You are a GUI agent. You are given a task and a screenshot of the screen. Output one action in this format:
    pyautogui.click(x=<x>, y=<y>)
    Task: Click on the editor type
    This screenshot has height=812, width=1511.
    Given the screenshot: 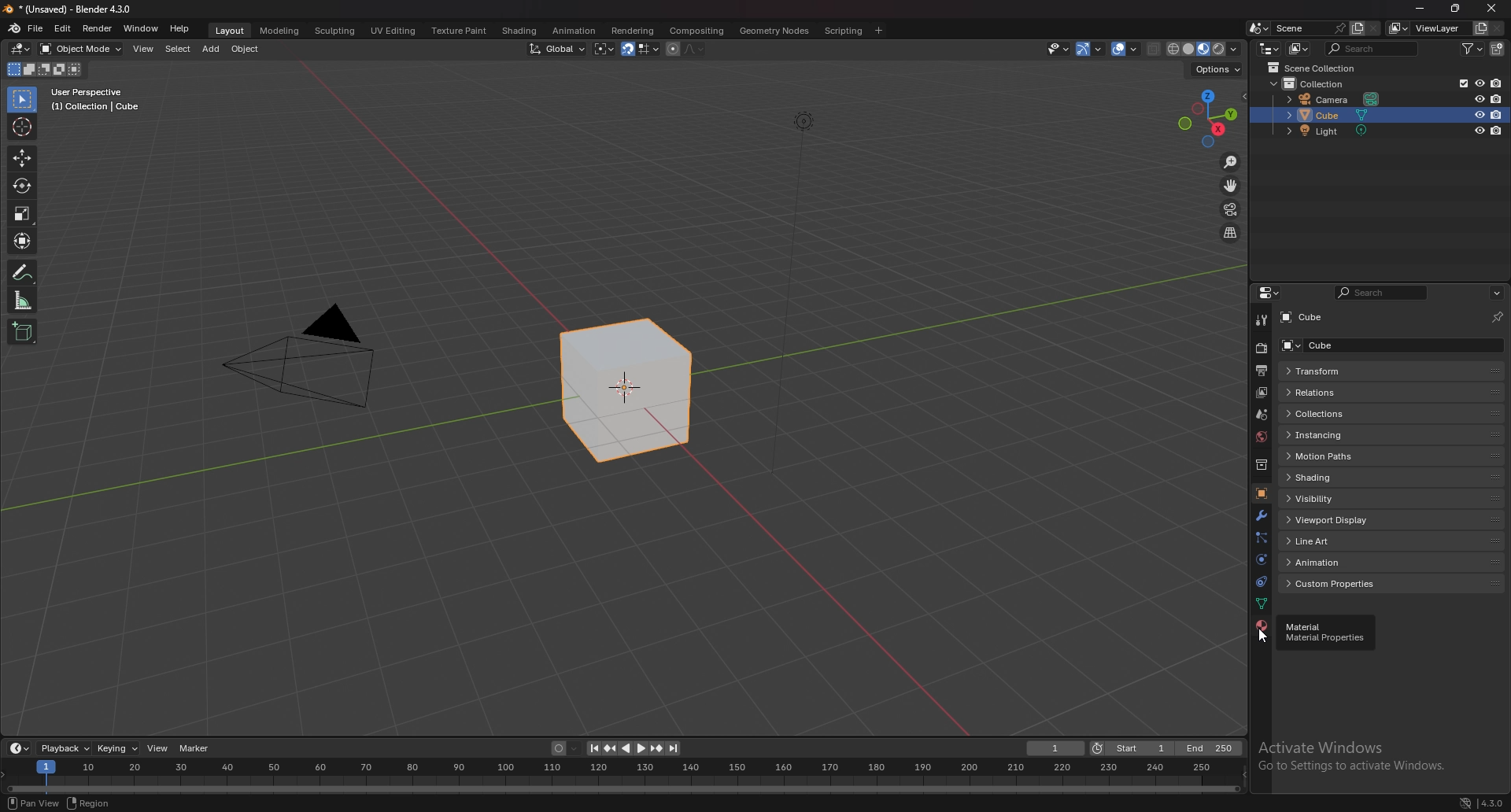 What is the action you would take?
    pyautogui.click(x=19, y=748)
    